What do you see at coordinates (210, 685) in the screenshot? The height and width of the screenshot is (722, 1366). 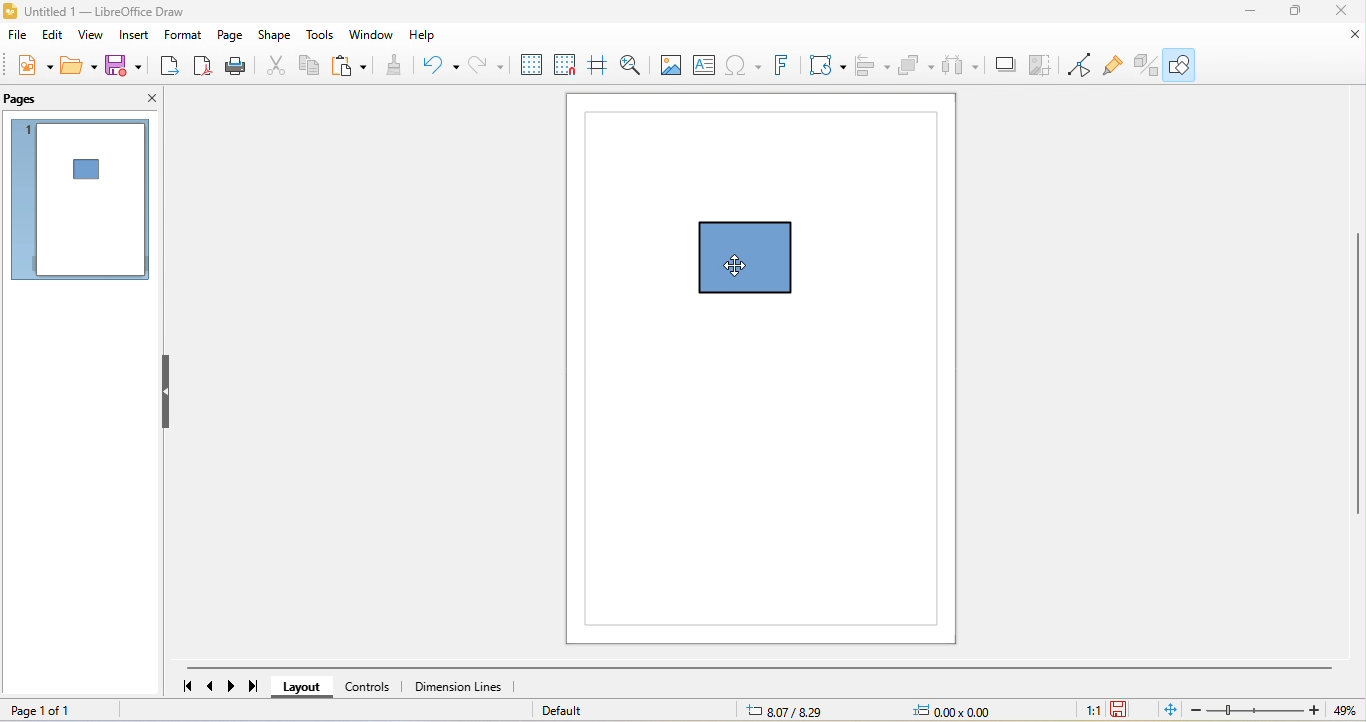 I see `previous page` at bounding box center [210, 685].